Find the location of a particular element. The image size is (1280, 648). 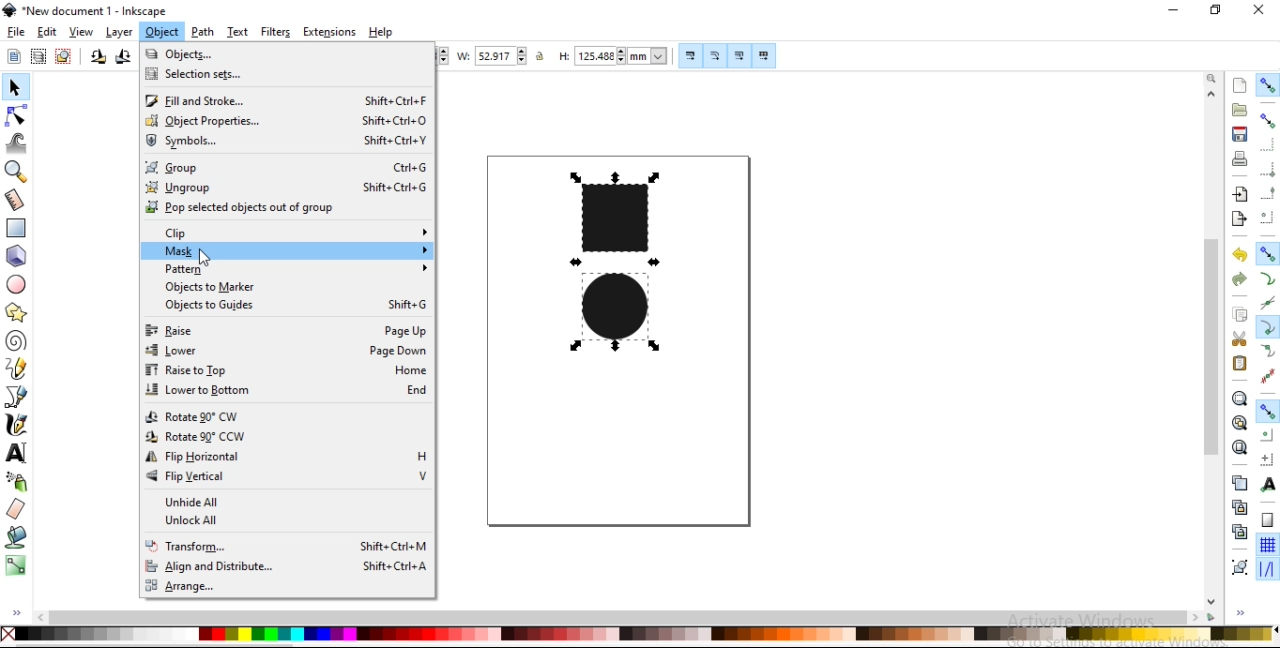

flip horizontal is located at coordinates (282, 460).